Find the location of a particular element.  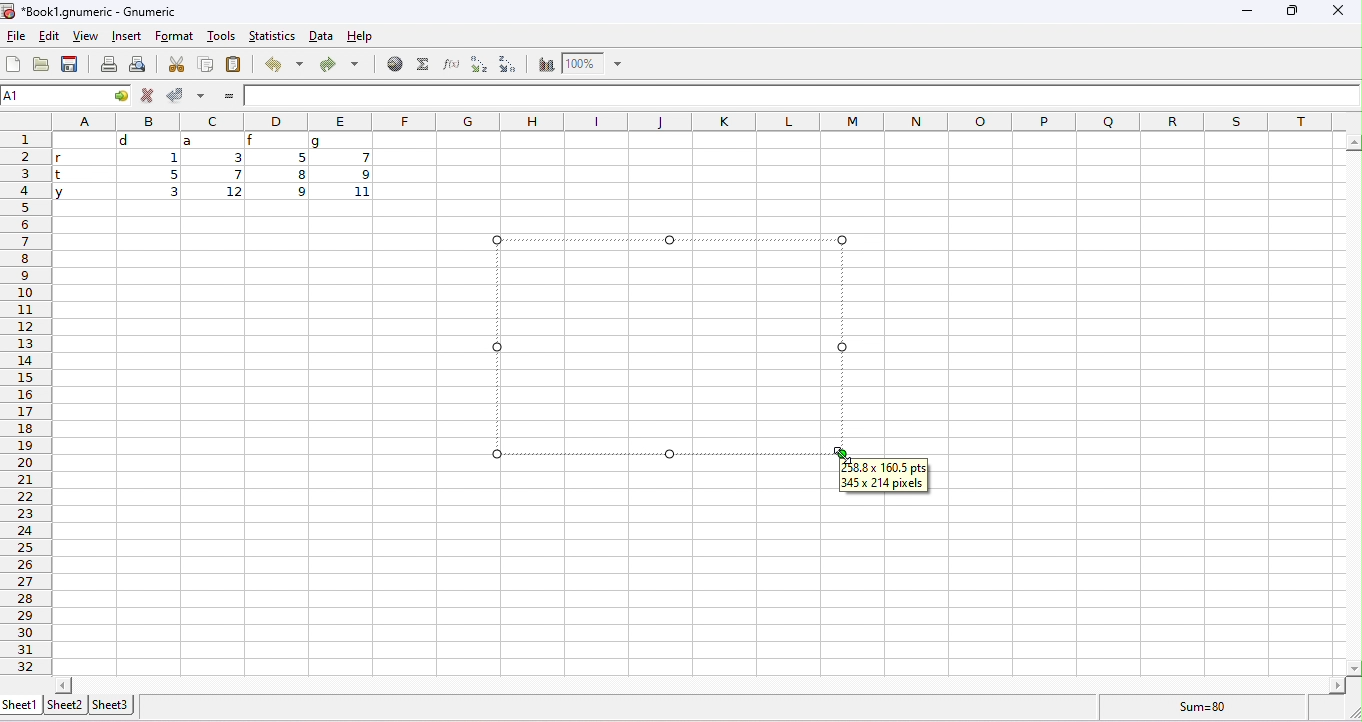

format is located at coordinates (175, 36).